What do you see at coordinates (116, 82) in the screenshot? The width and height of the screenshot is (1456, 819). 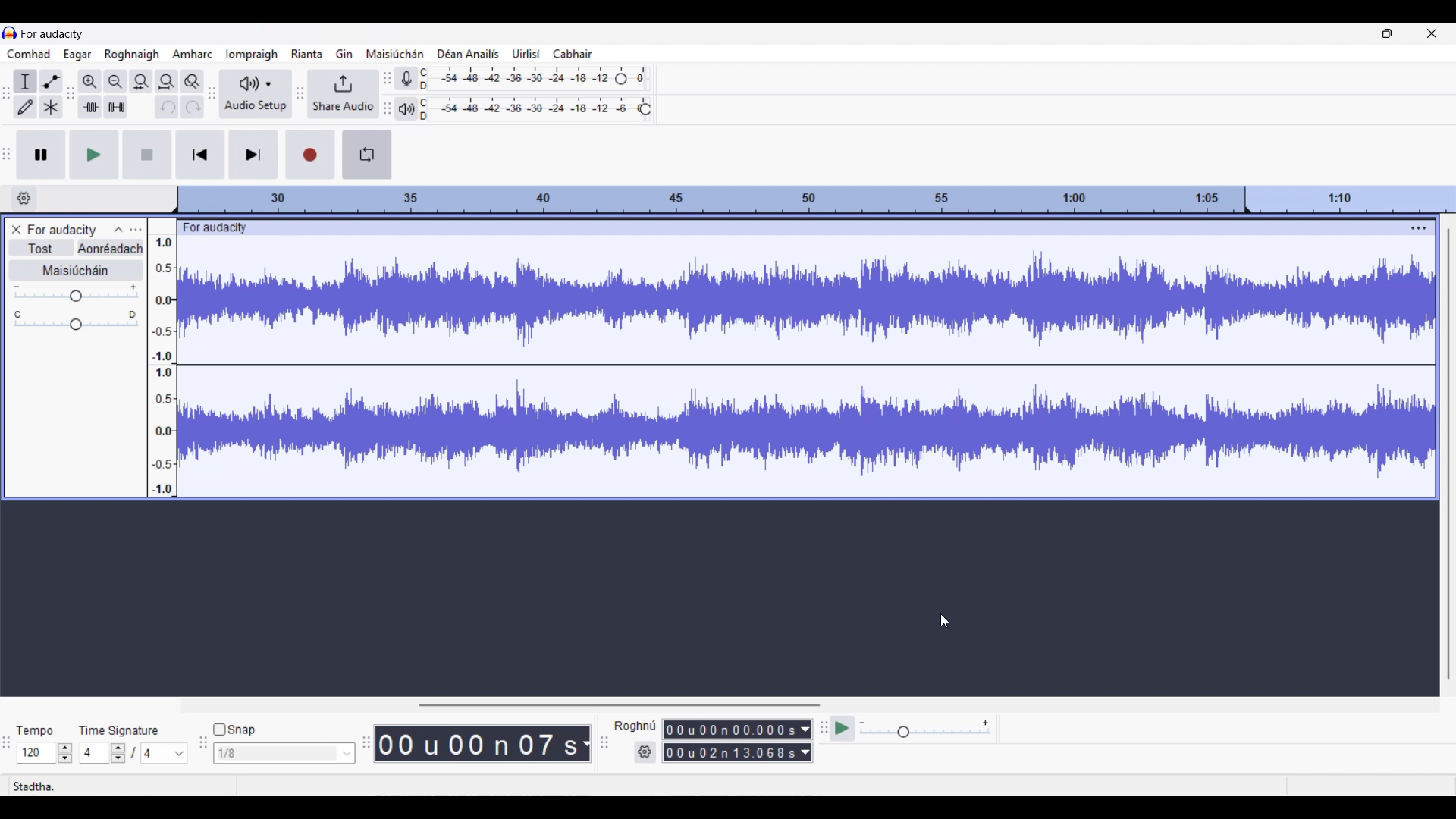 I see `Zoom out` at bounding box center [116, 82].